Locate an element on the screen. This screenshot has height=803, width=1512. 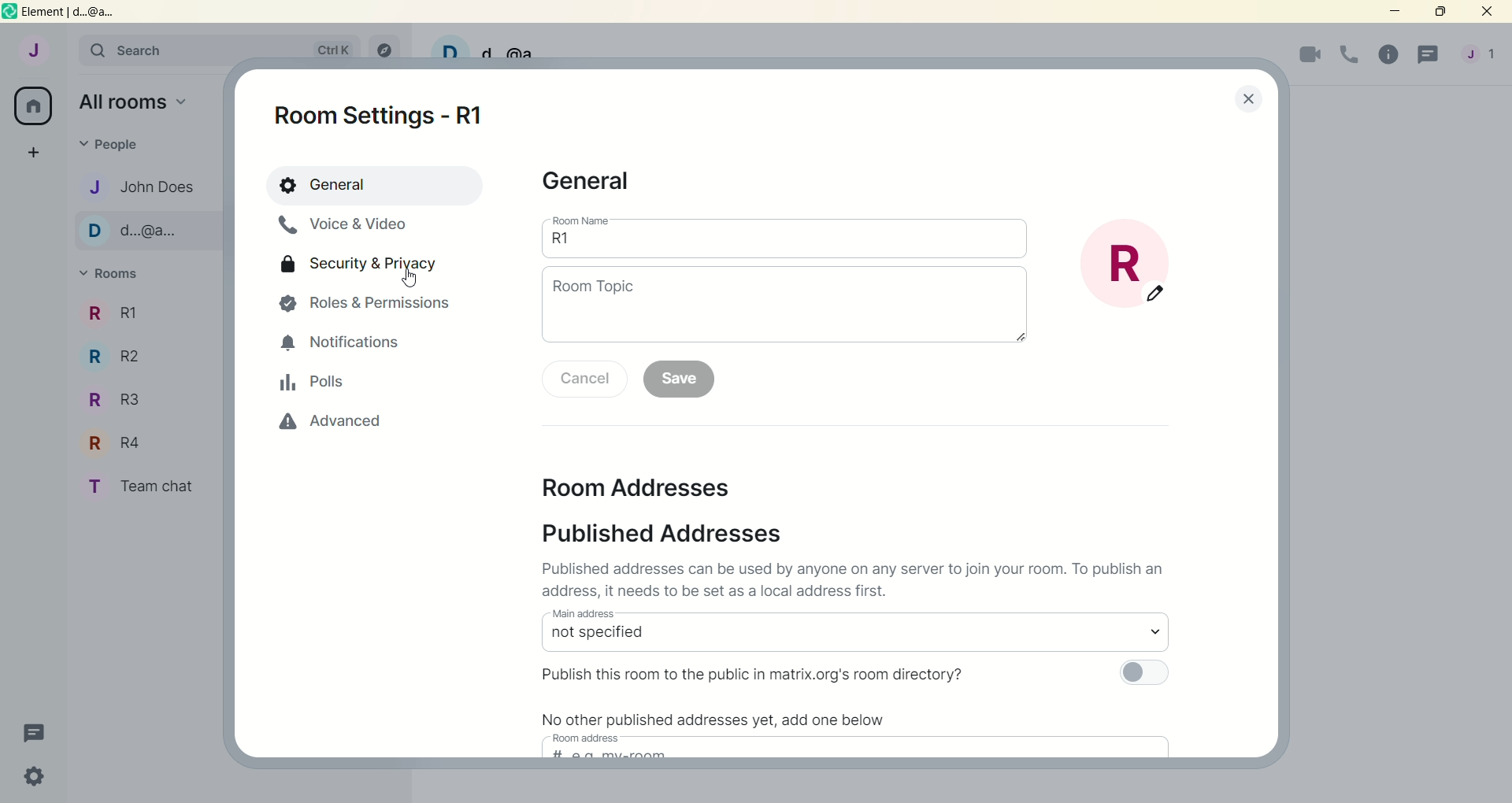
polls is located at coordinates (313, 386).